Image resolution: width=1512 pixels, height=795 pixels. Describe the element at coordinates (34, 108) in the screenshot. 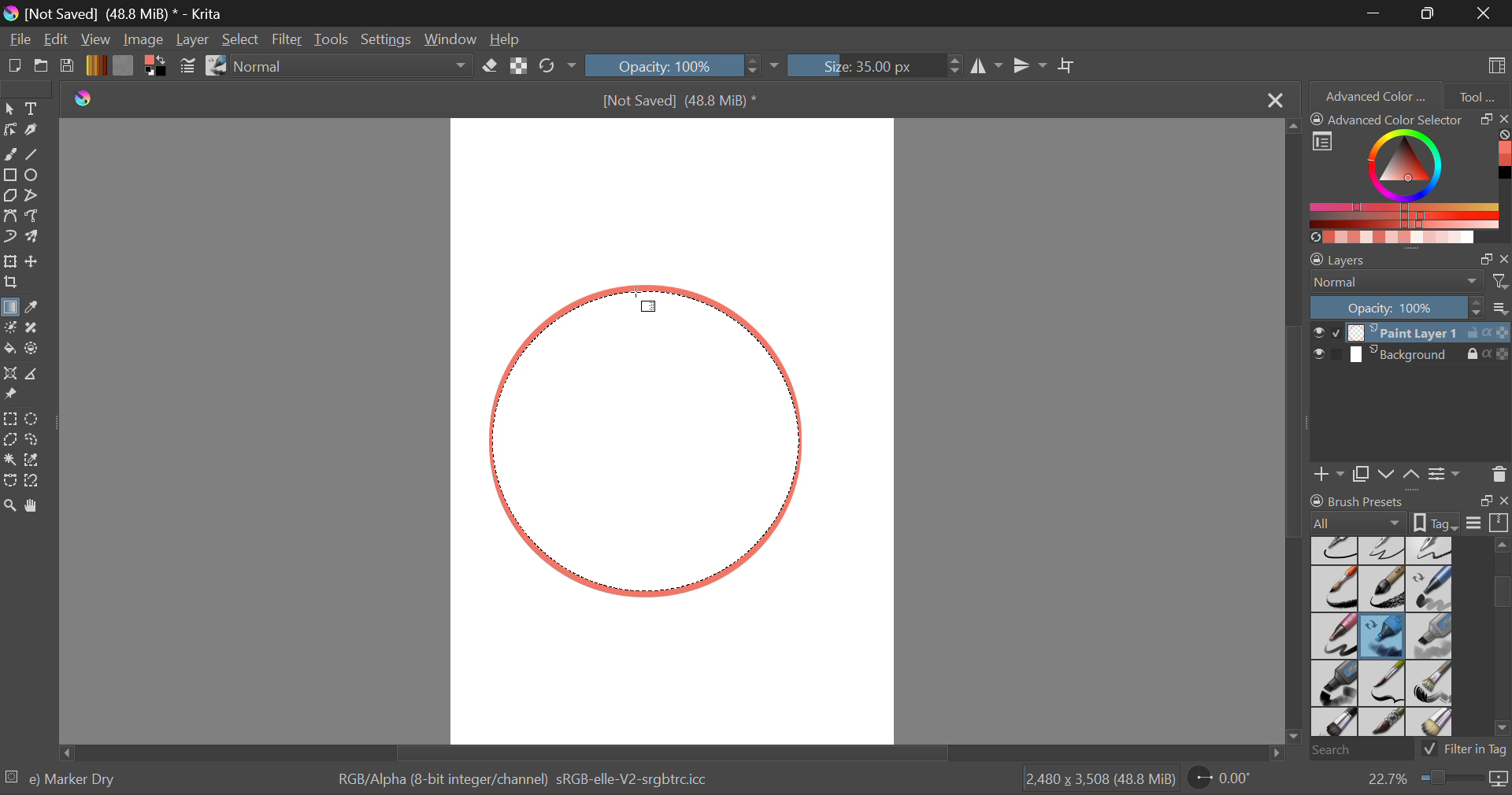

I see `Text` at that location.